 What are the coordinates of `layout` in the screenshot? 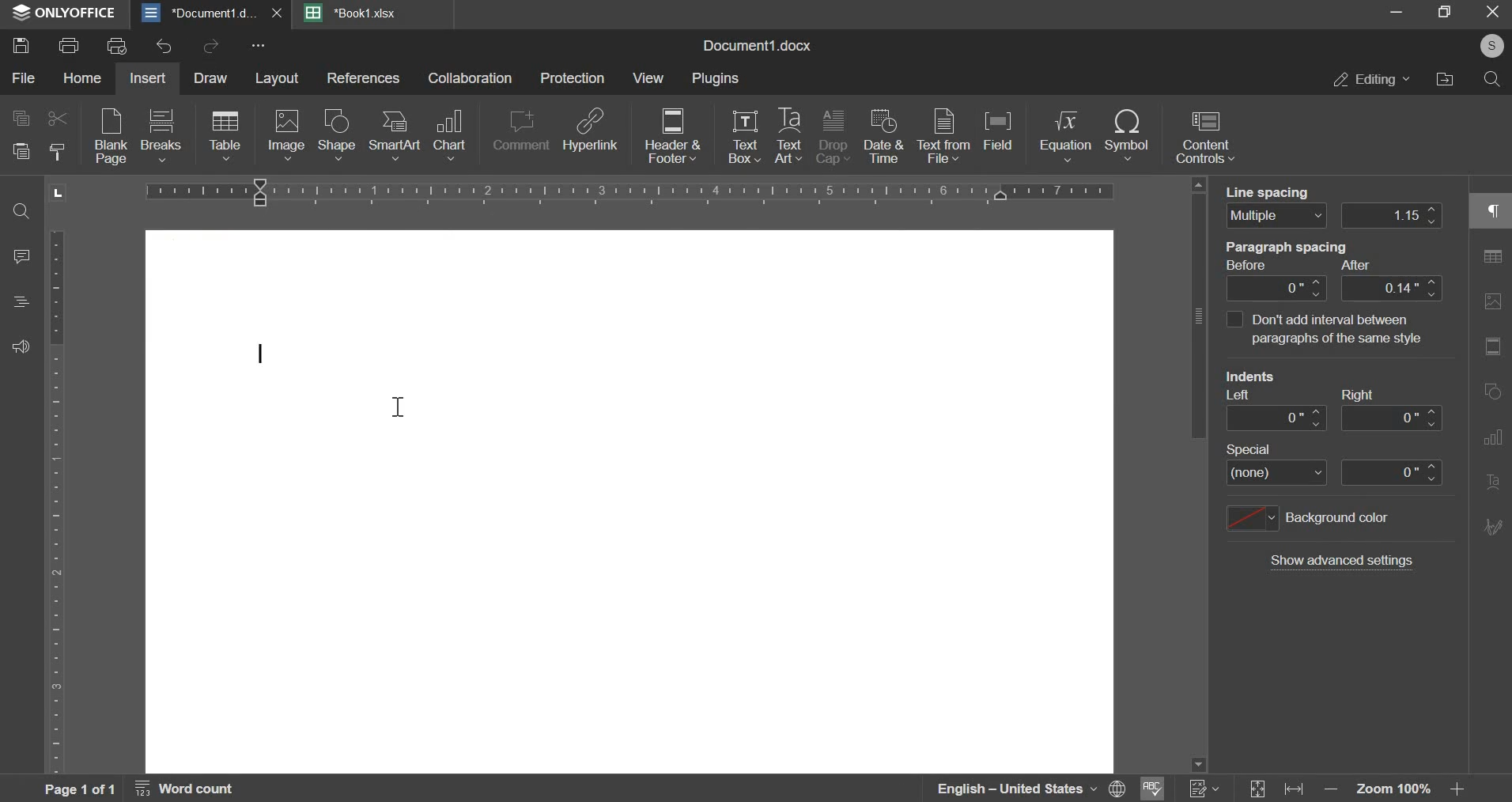 It's located at (276, 78).